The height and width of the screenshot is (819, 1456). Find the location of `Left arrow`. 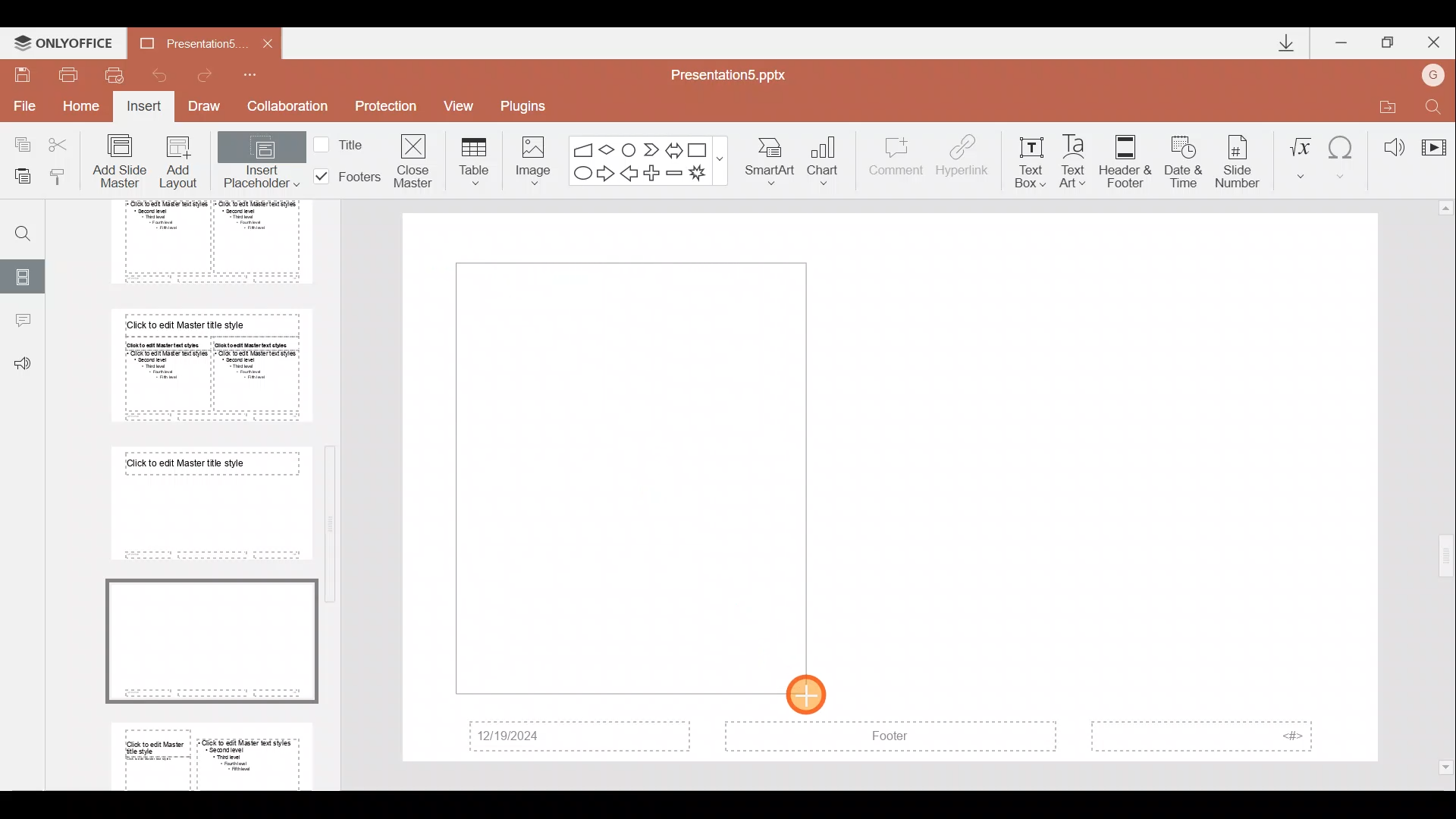

Left arrow is located at coordinates (630, 174).